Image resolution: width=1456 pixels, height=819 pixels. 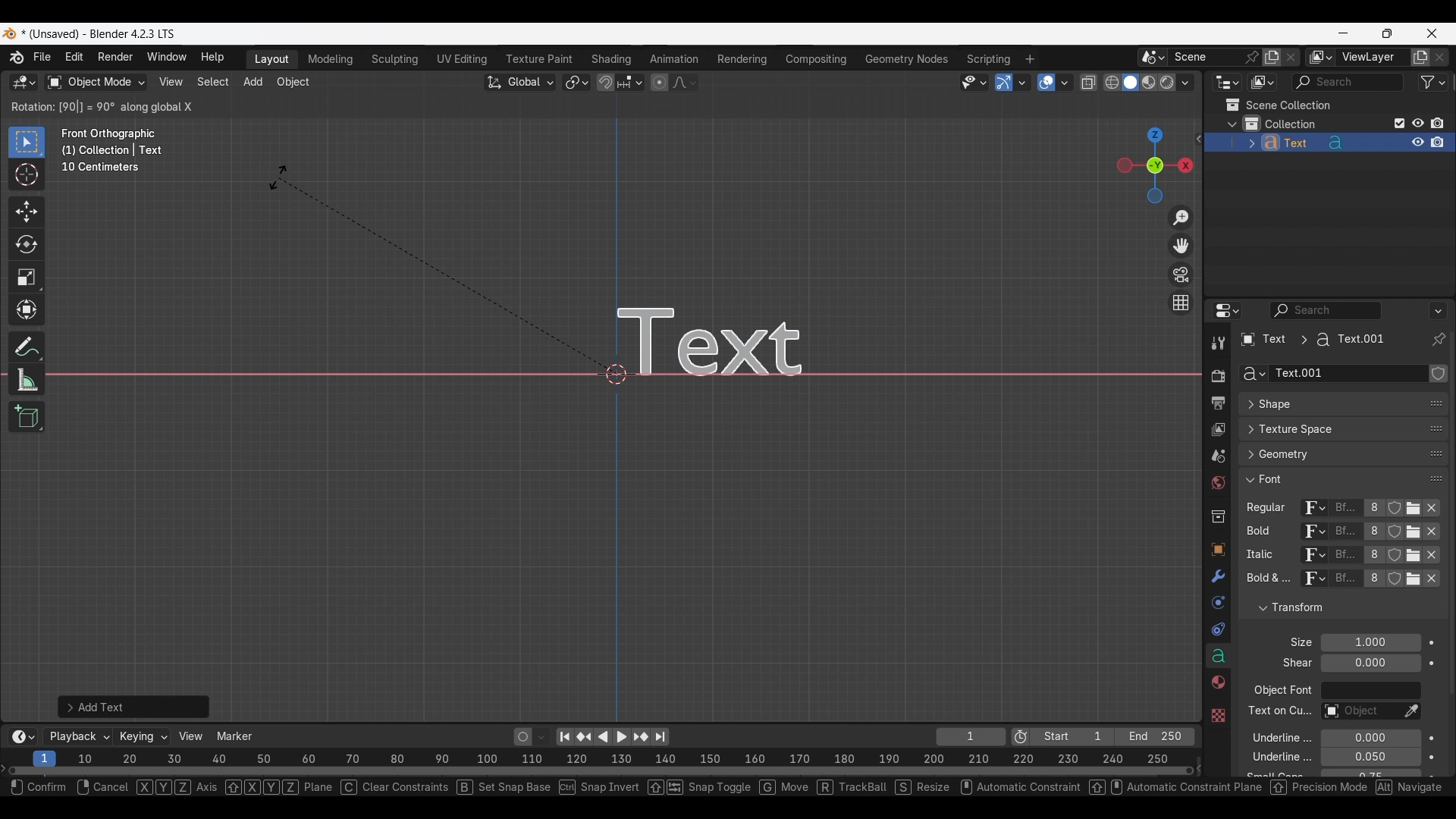 What do you see at coordinates (1217, 484) in the screenshot?
I see `World` at bounding box center [1217, 484].